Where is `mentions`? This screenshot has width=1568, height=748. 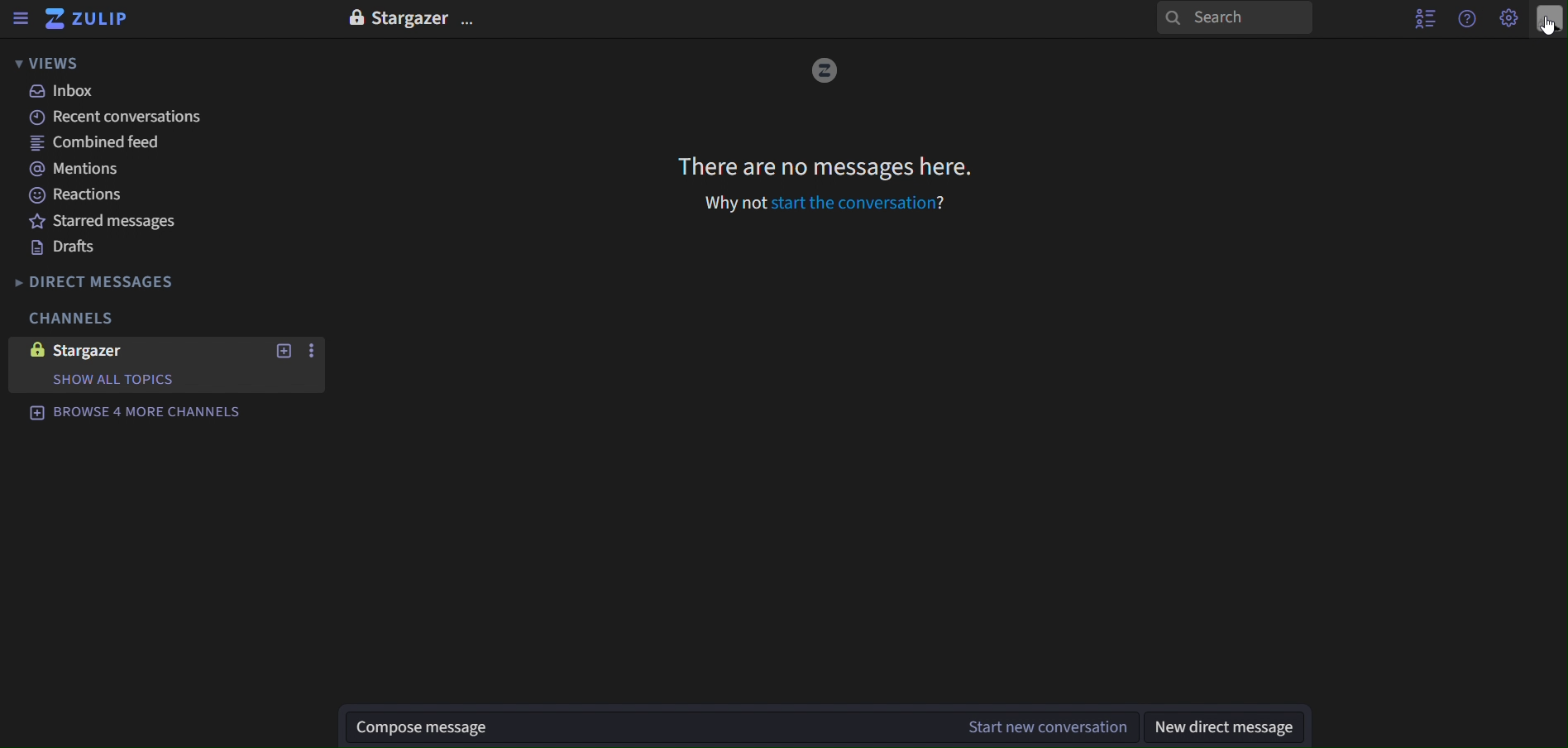 mentions is located at coordinates (79, 170).